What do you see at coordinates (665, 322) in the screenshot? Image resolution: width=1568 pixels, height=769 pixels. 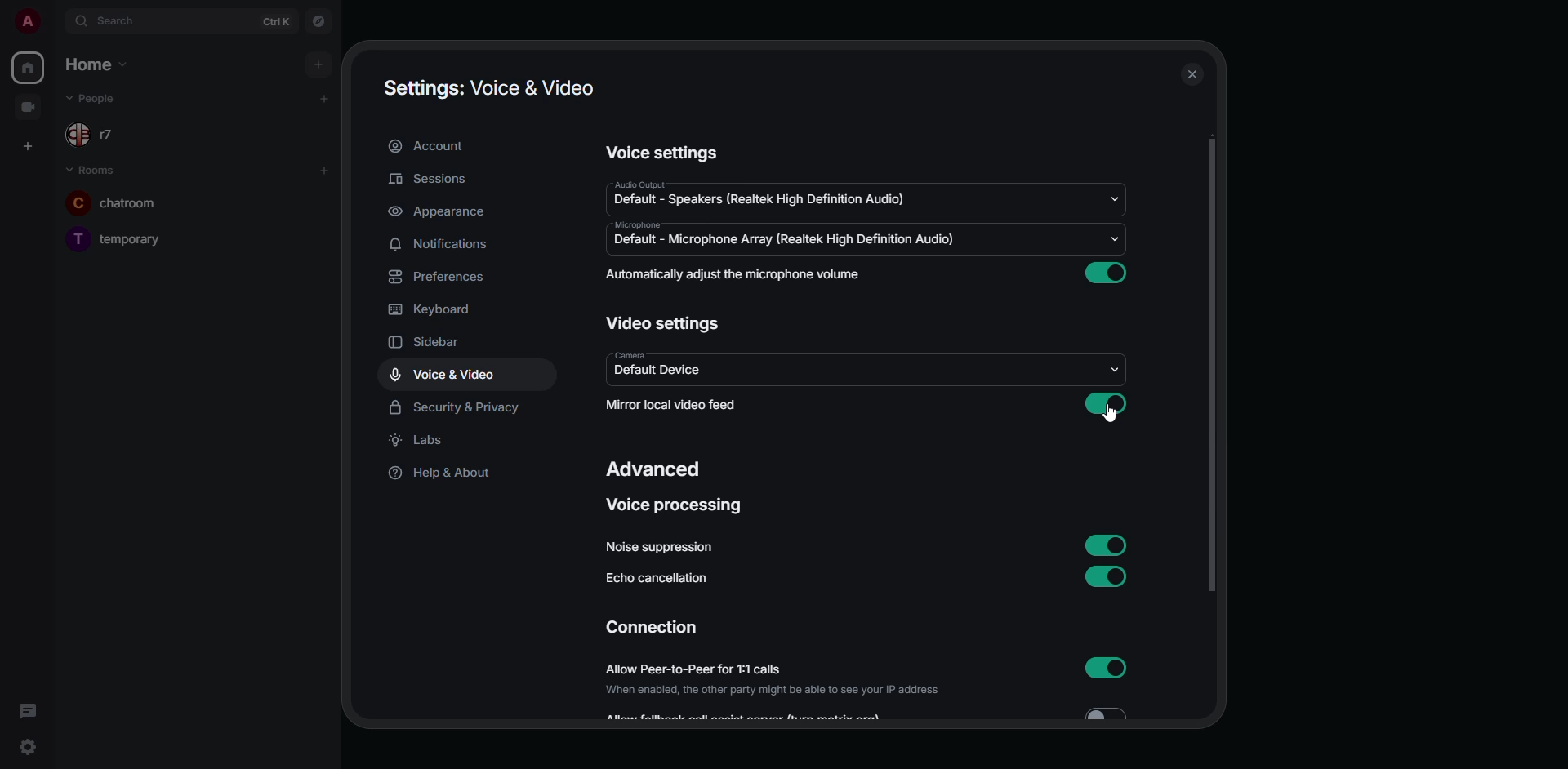 I see `video settings` at bounding box center [665, 322].